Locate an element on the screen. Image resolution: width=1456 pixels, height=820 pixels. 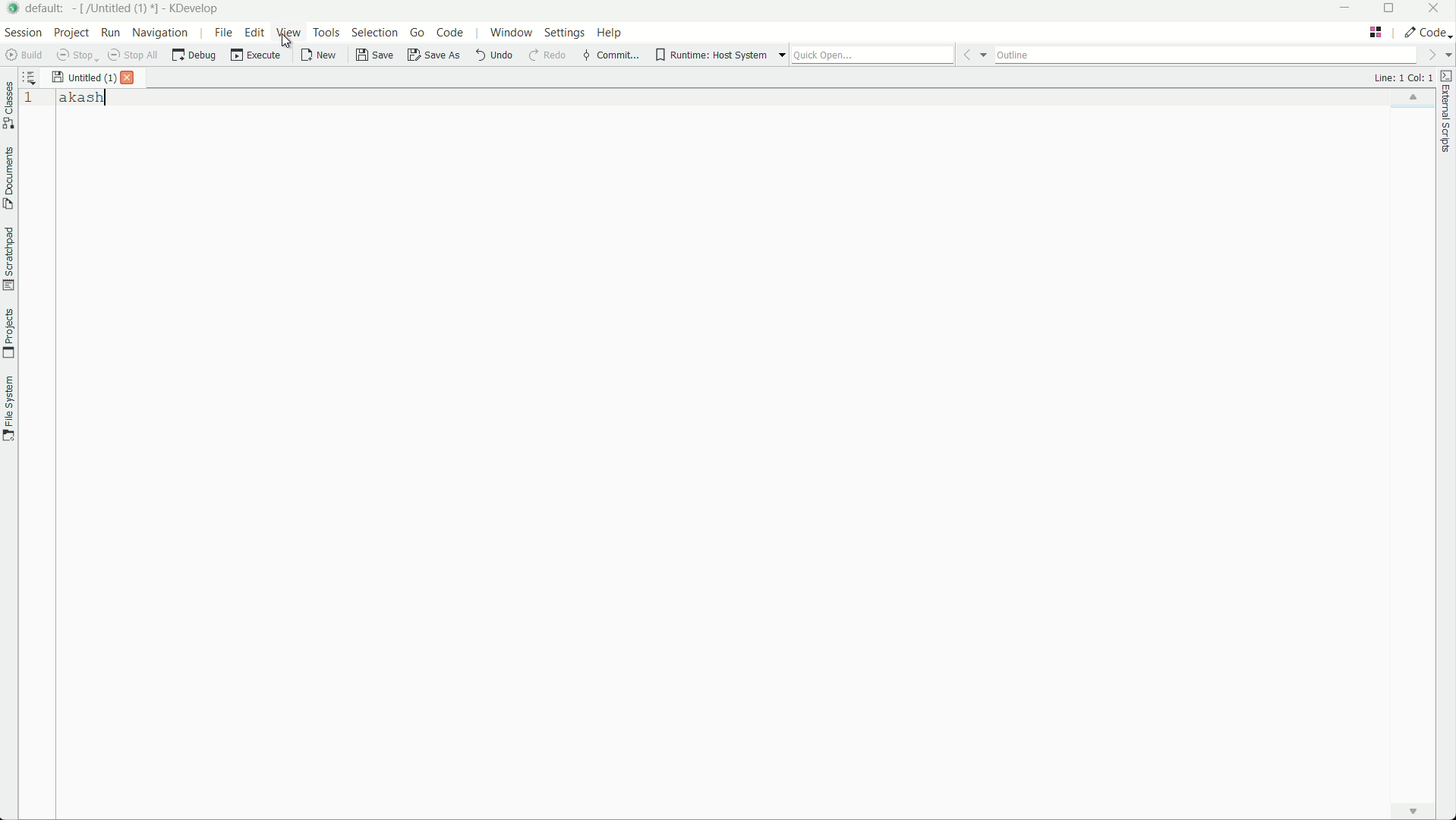
settings is located at coordinates (565, 32).